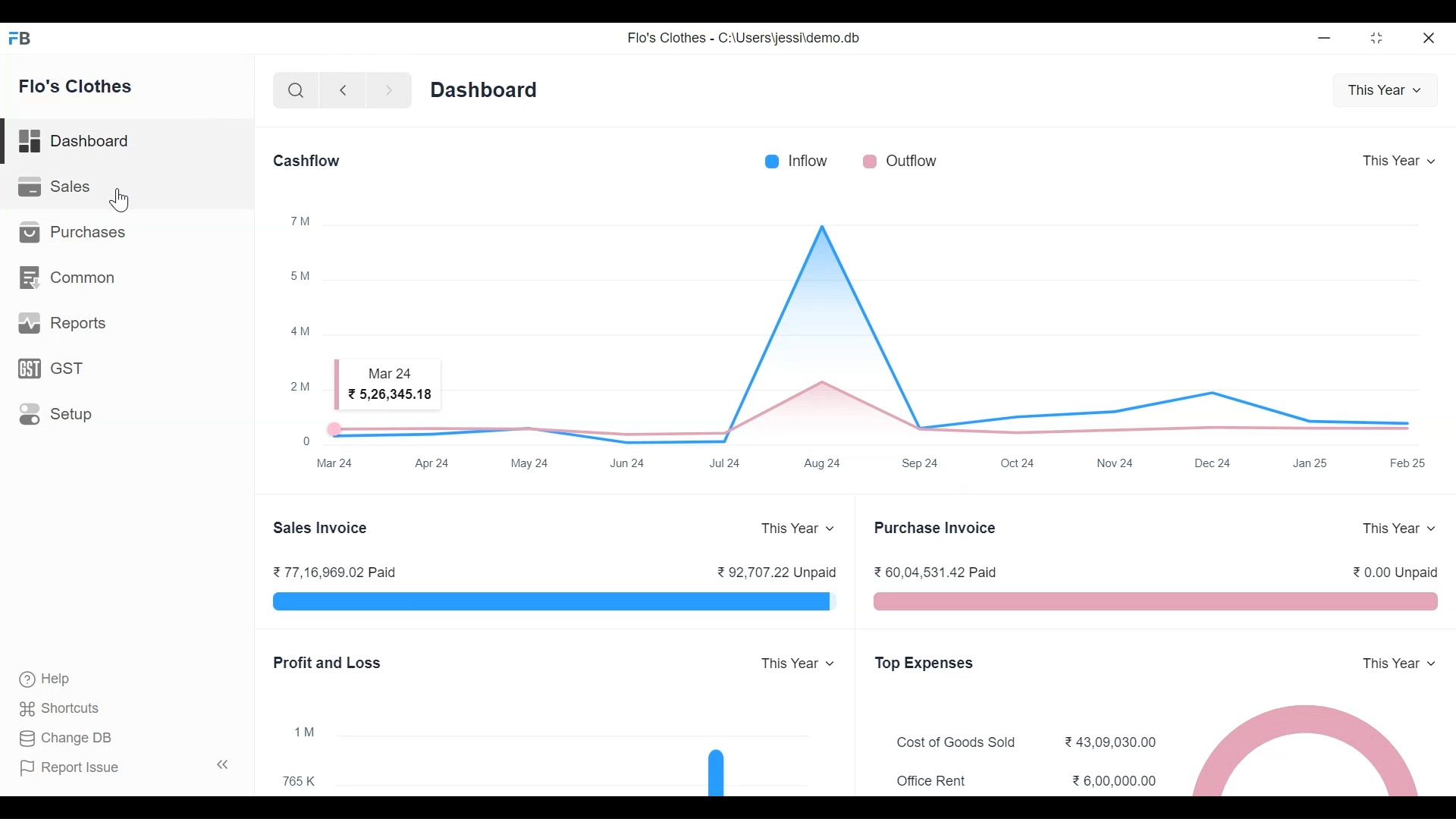 Image resolution: width=1456 pixels, height=819 pixels. What do you see at coordinates (584, 758) in the screenshot?
I see `Profit and loss visual representation of Flo's Clothes yearly` at bounding box center [584, 758].